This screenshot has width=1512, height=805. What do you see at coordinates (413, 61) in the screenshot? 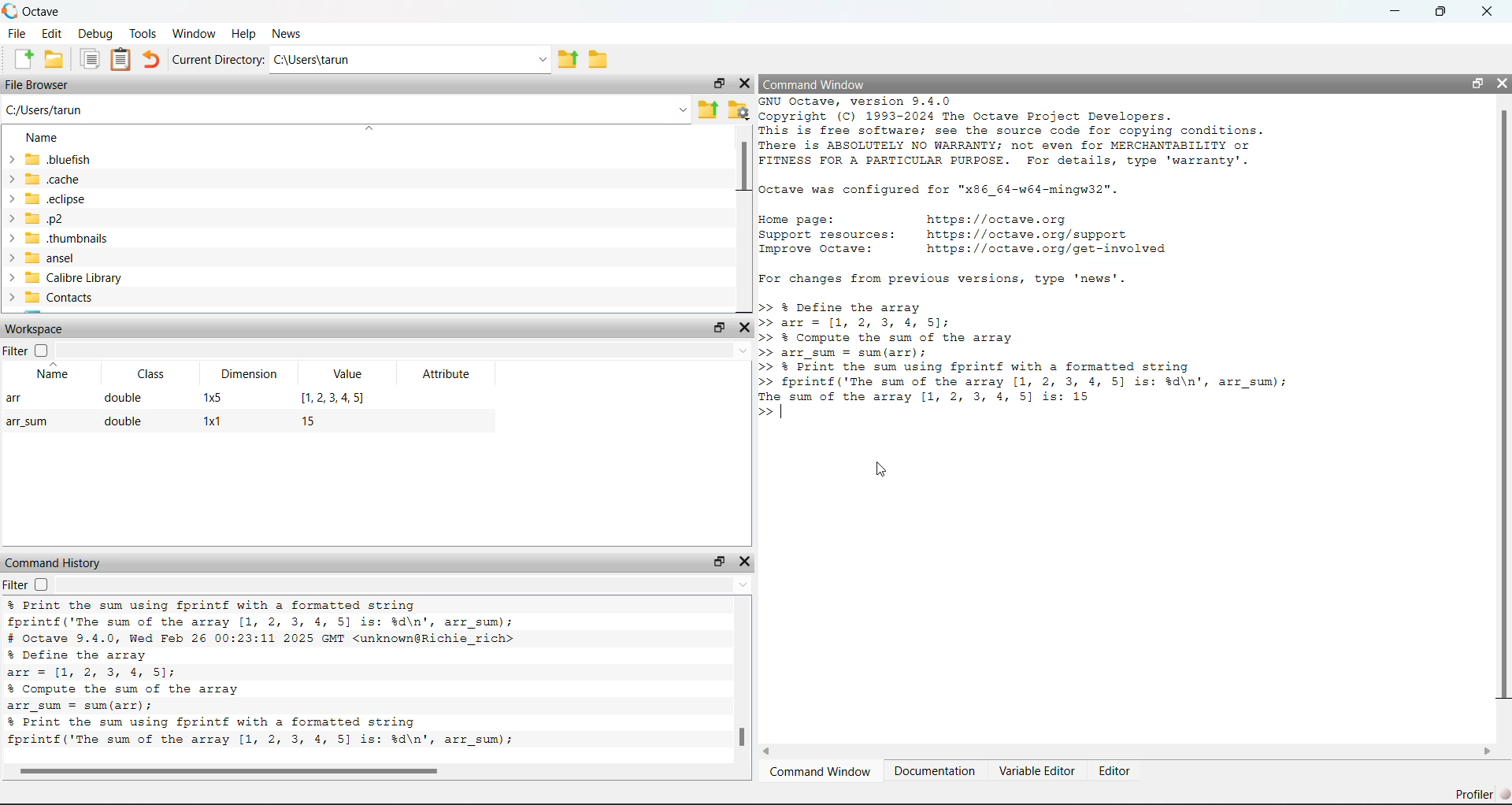
I see `C:\Users\tarun ` at bounding box center [413, 61].